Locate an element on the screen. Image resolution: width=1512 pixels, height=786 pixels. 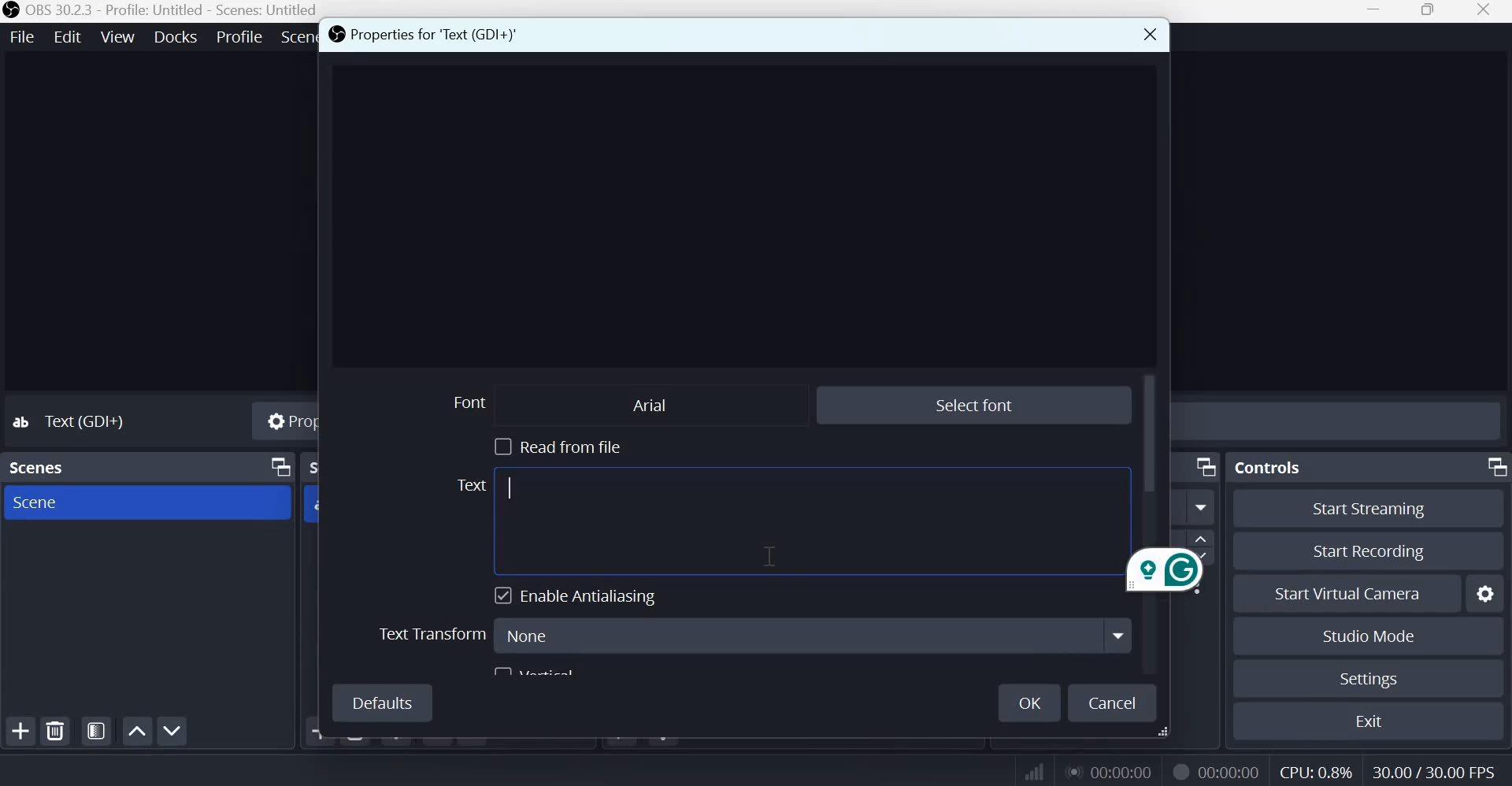
None is located at coordinates (812, 633).